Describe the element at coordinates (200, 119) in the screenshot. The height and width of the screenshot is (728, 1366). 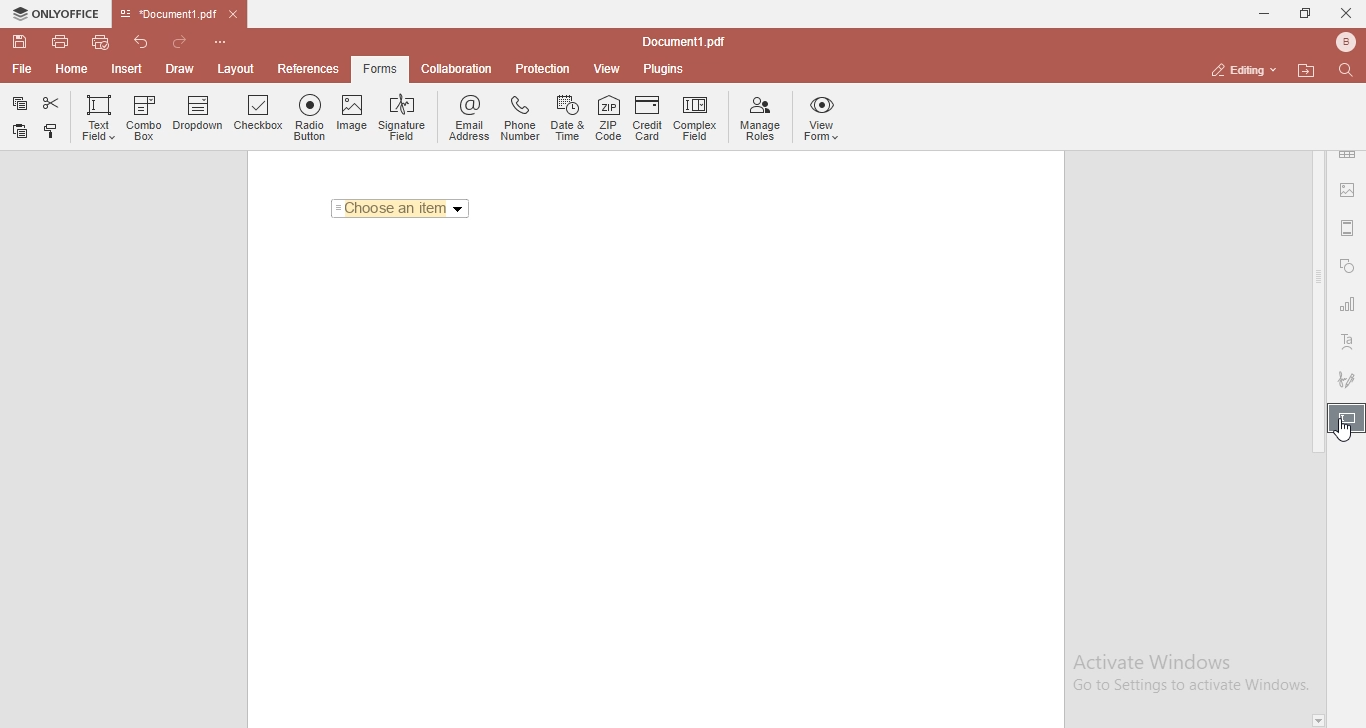
I see `dropdown` at that location.